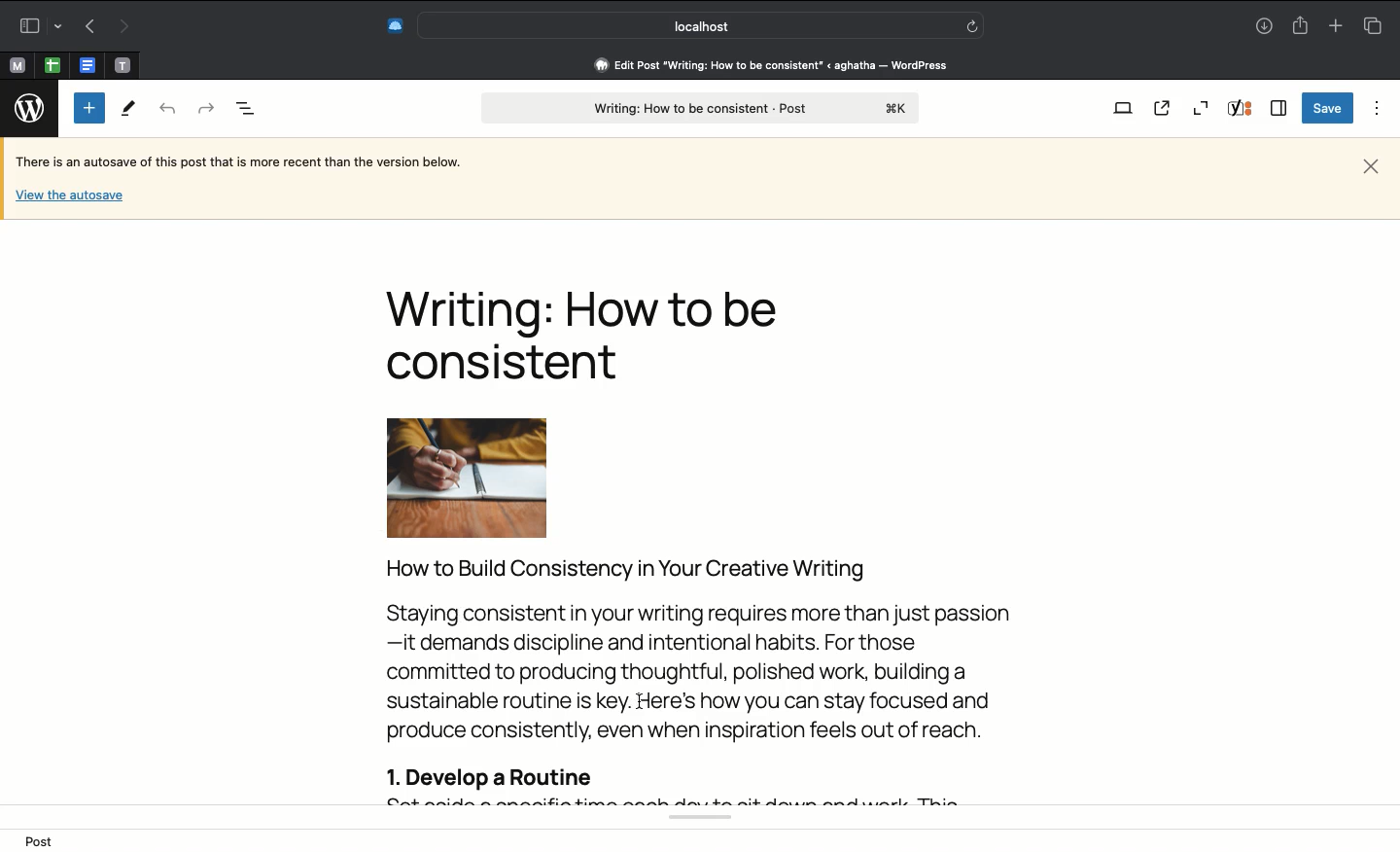  What do you see at coordinates (1166, 109) in the screenshot?
I see `View post` at bounding box center [1166, 109].